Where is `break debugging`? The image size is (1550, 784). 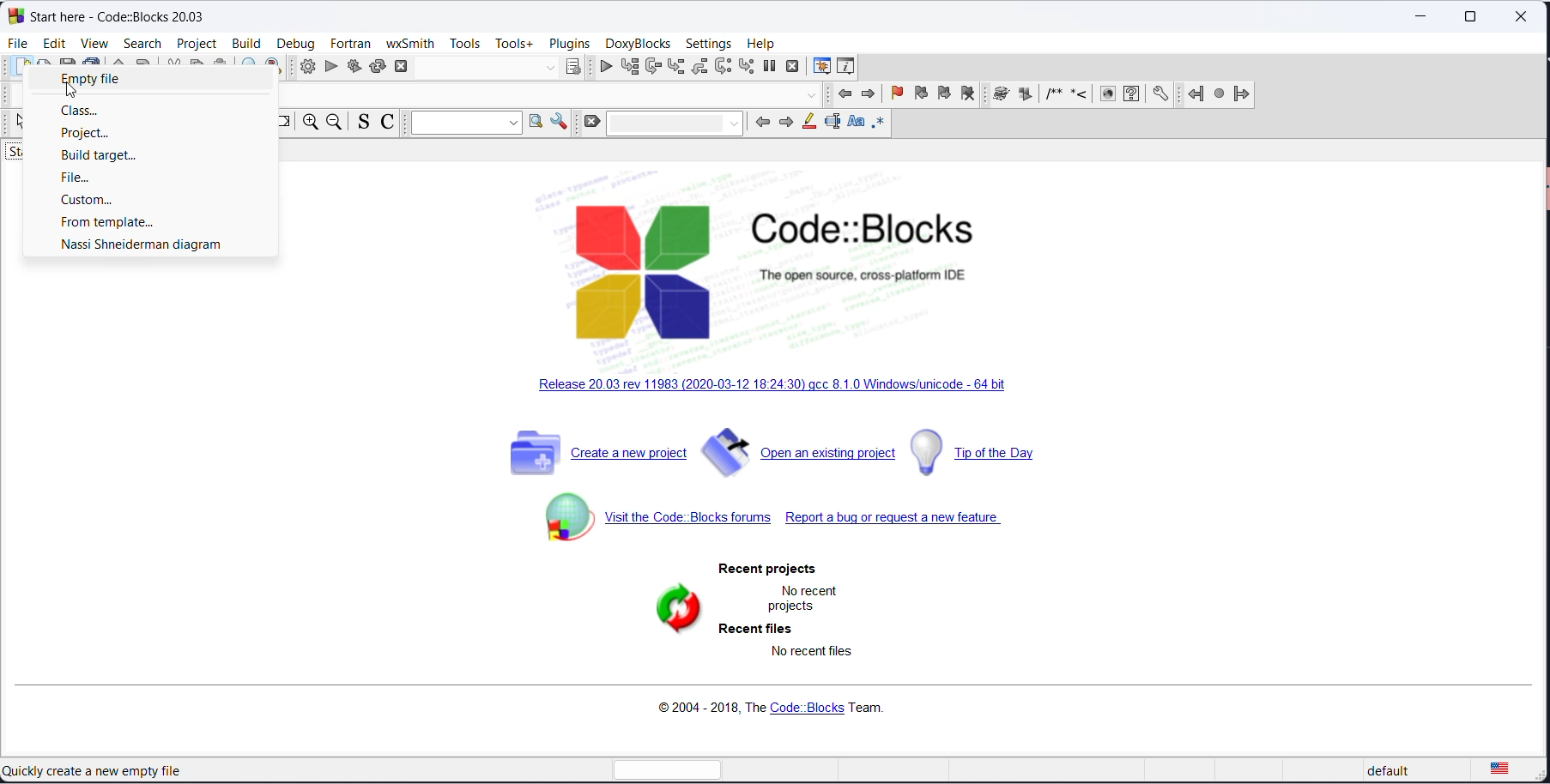
break debugging is located at coordinates (770, 68).